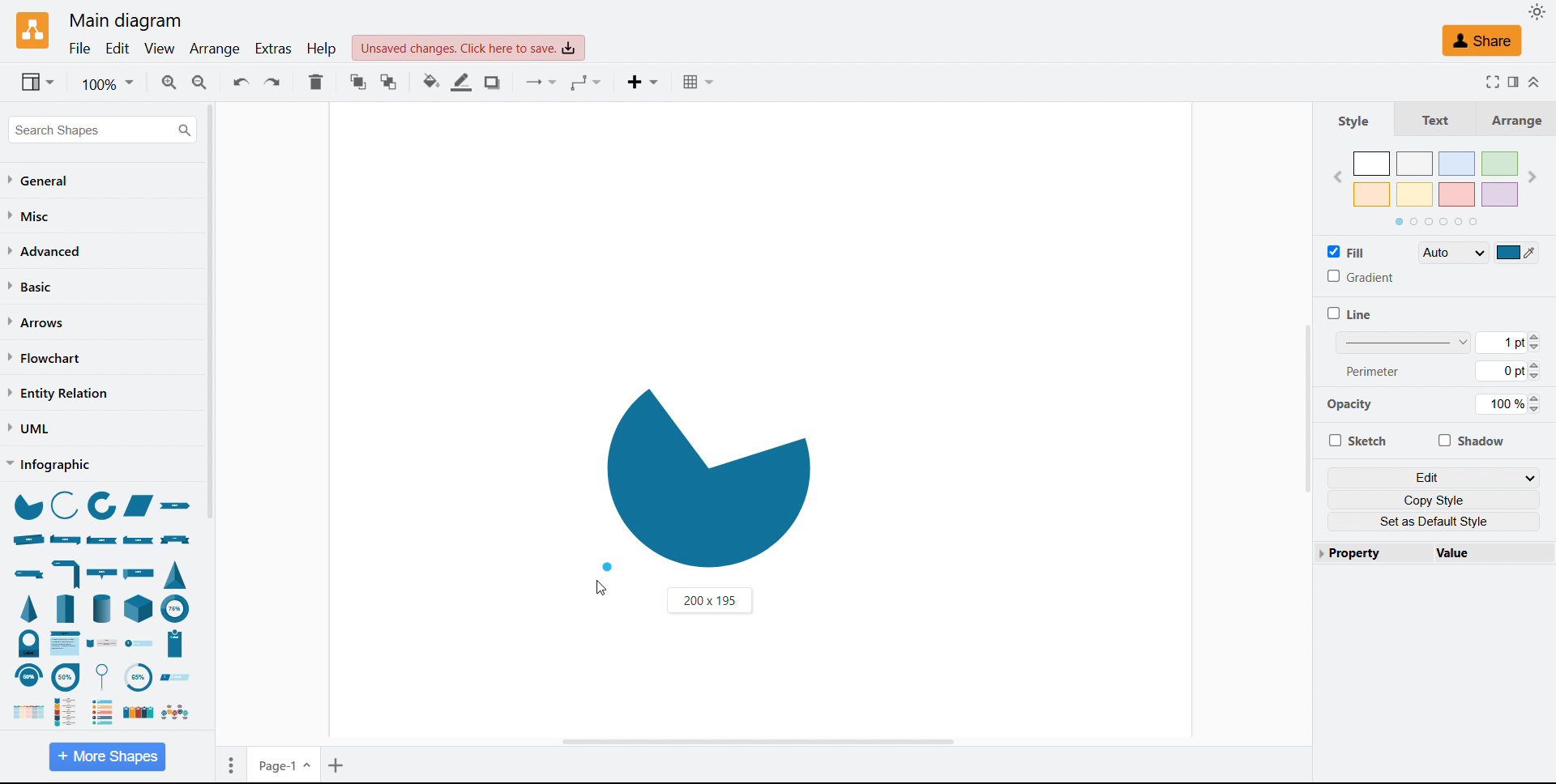  What do you see at coordinates (137, 678) in the screenshot?
I see `circular dial` at bounding box center [137, 678].